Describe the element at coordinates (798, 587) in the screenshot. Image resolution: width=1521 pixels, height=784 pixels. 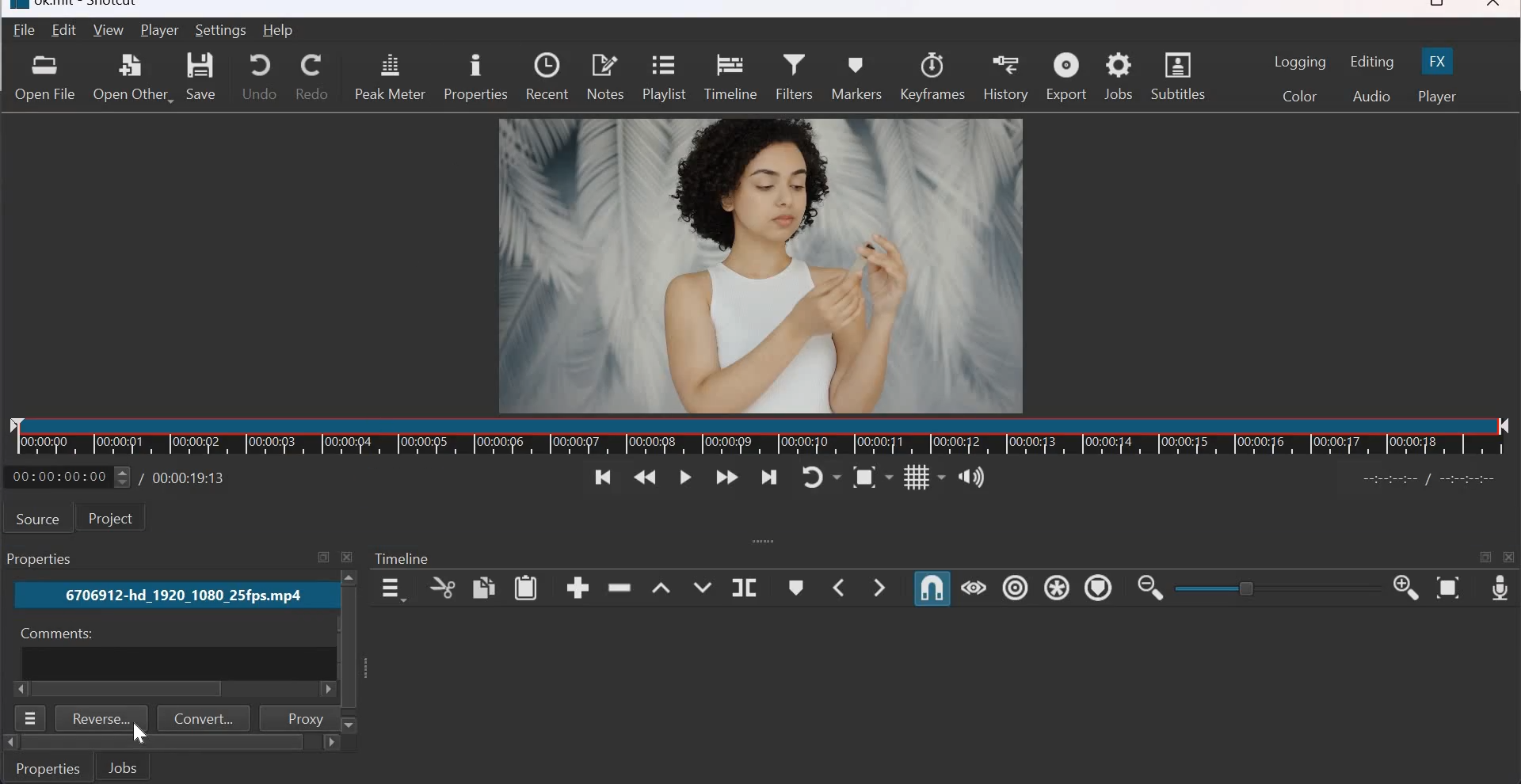
I see `Create/edit marker` at that location.